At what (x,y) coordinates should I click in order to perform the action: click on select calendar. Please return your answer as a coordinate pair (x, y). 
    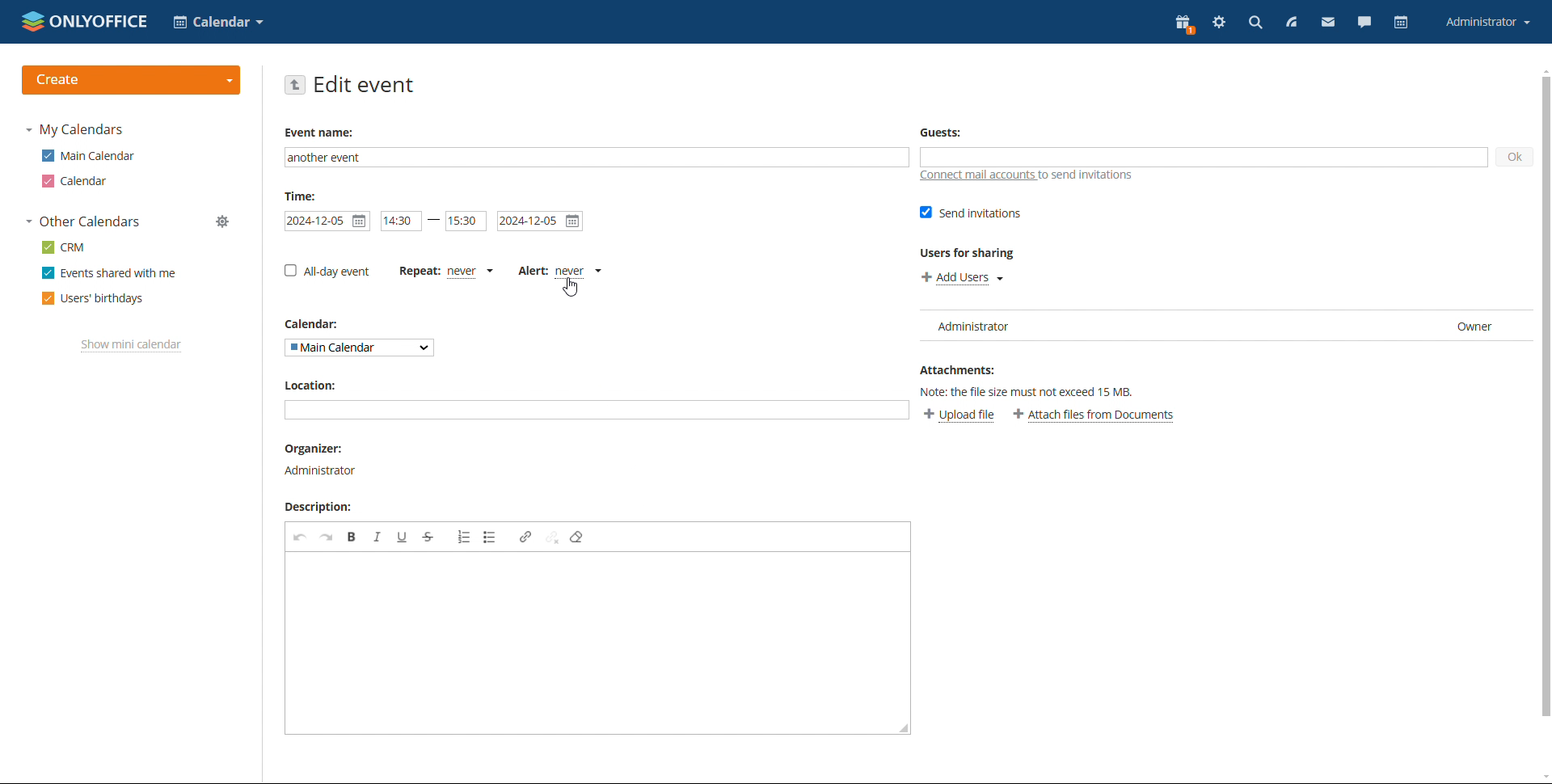
    Looking at the image, I should click on (218, 22).